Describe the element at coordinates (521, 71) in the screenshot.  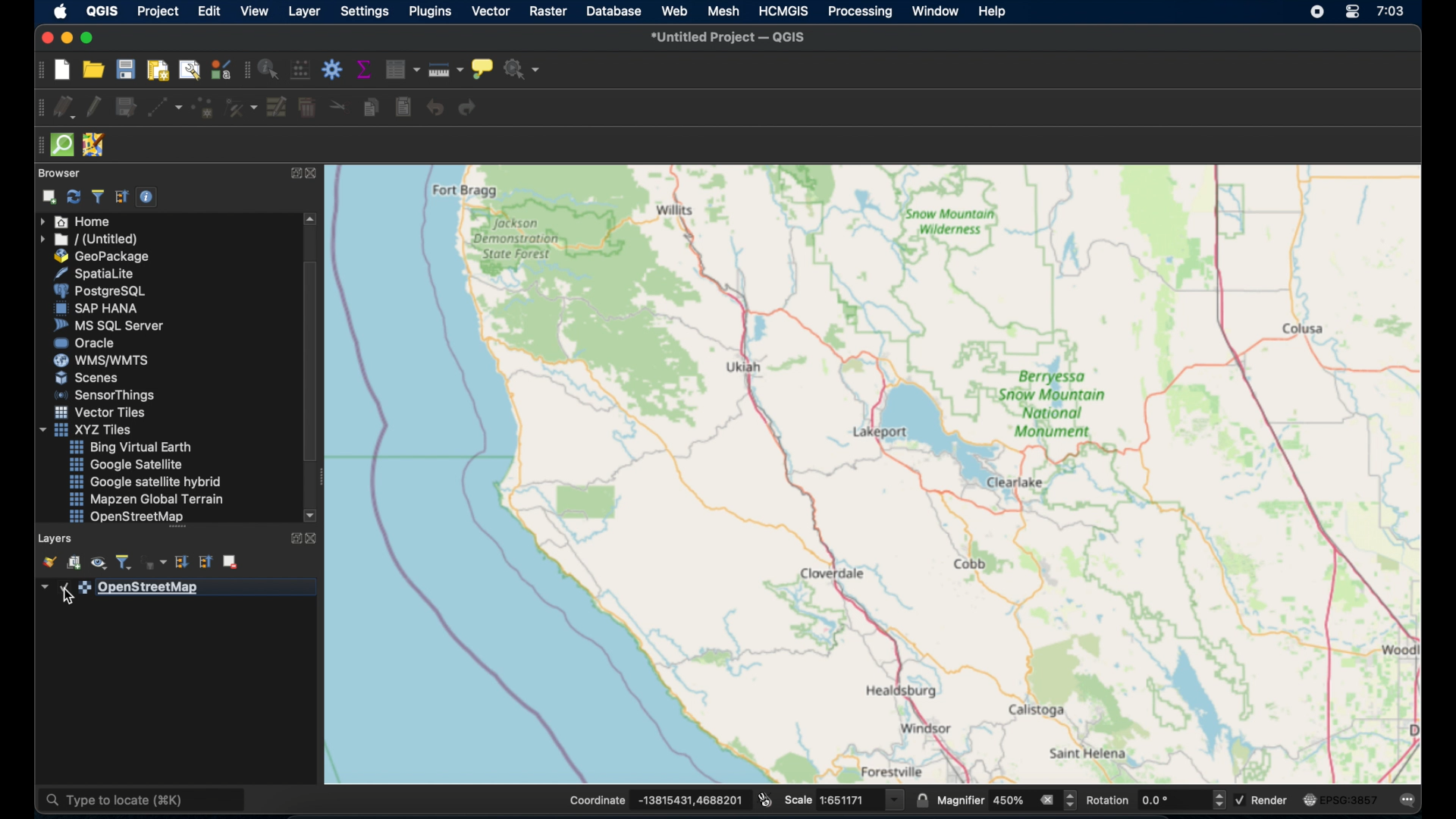
I see `no action selected` at that location.